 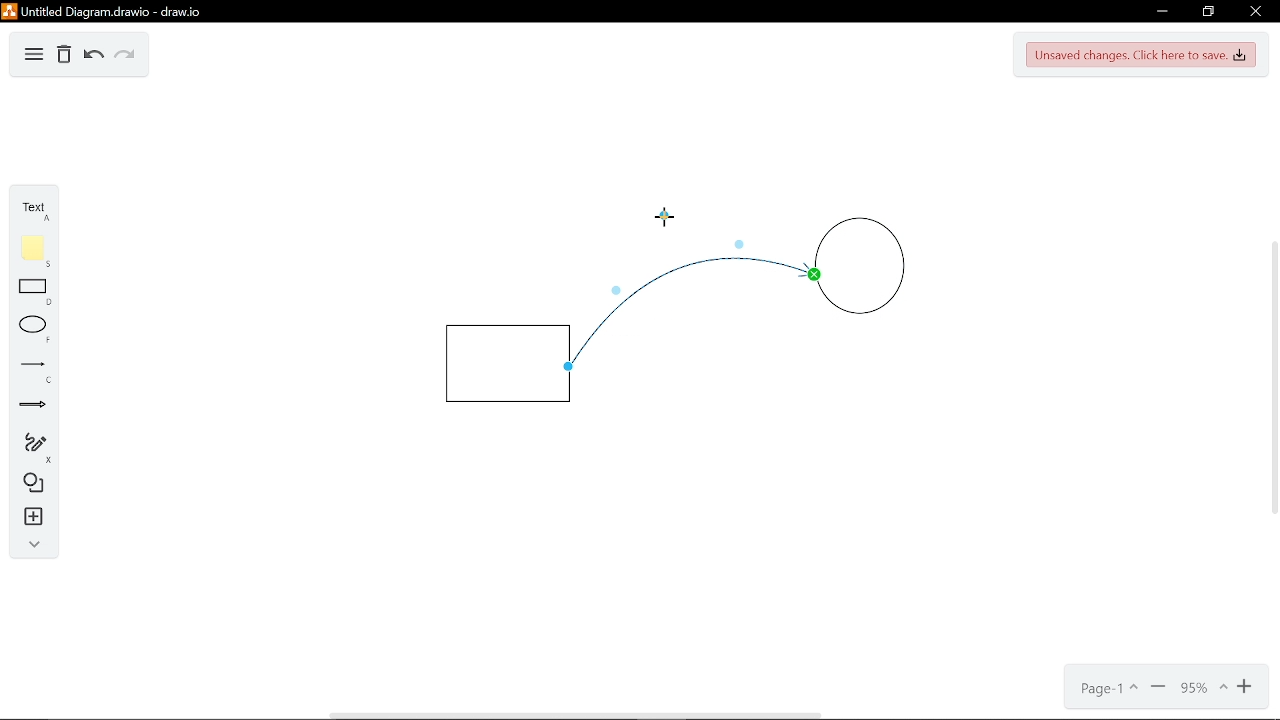 I want to click on Minimize, so click(x=1162, y=11).